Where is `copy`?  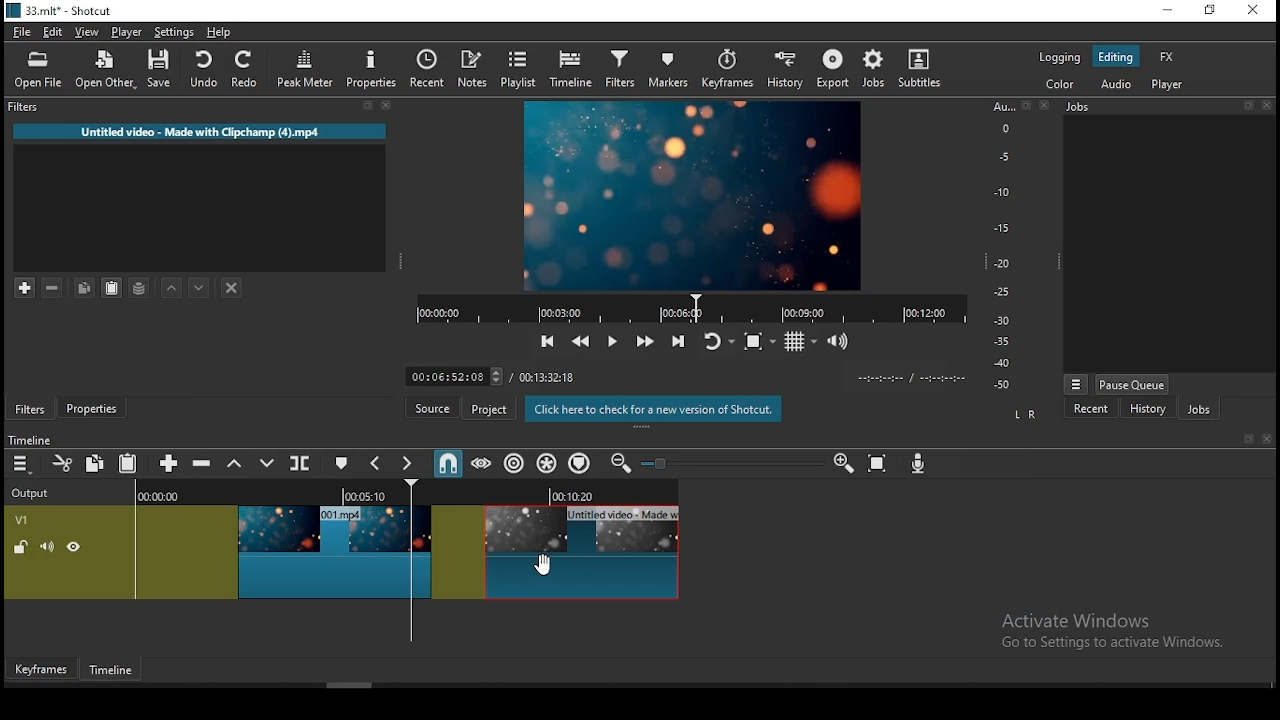 copy is located at coordinates (95, 465).